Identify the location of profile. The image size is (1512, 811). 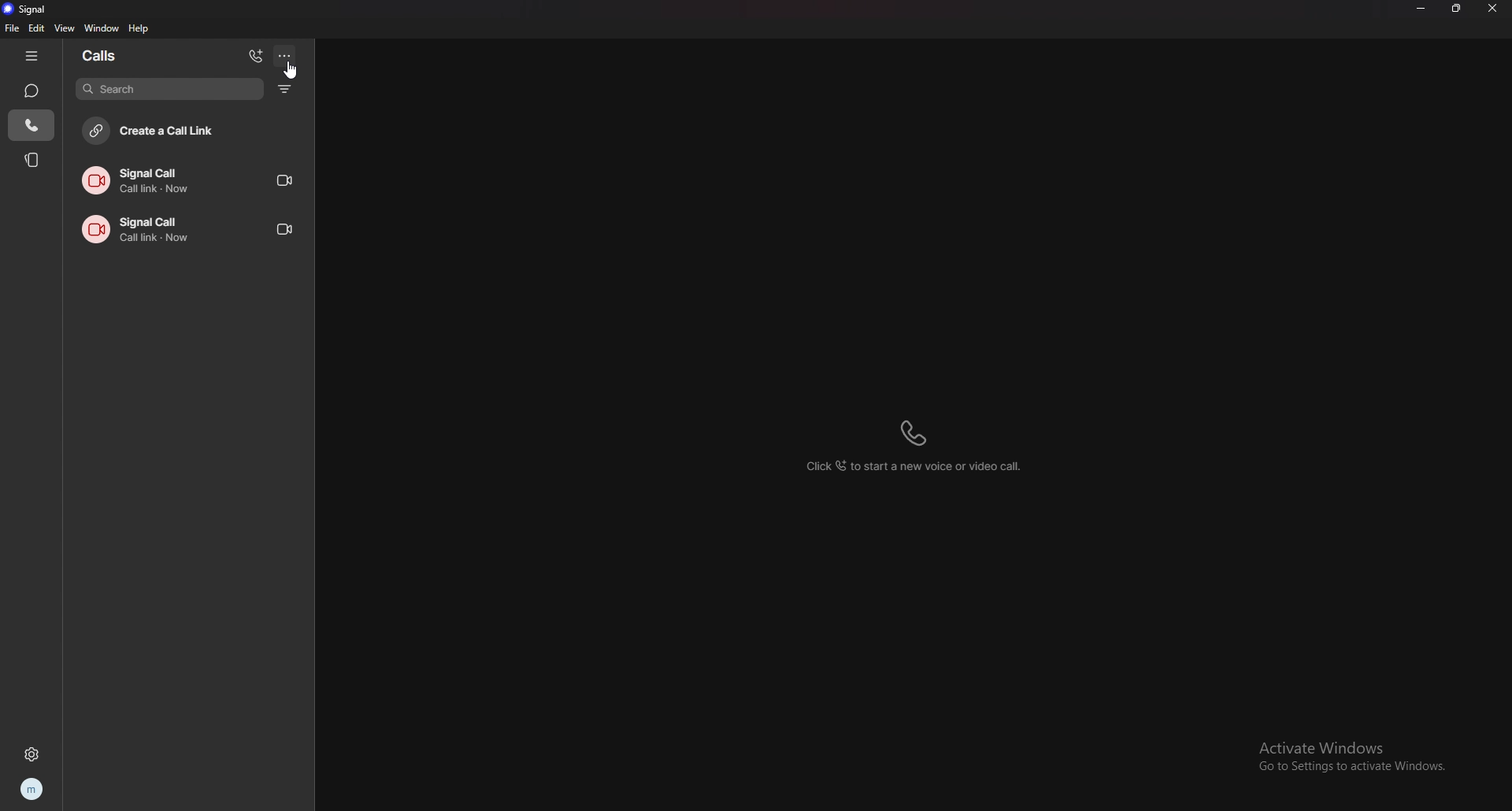
(31, 790).